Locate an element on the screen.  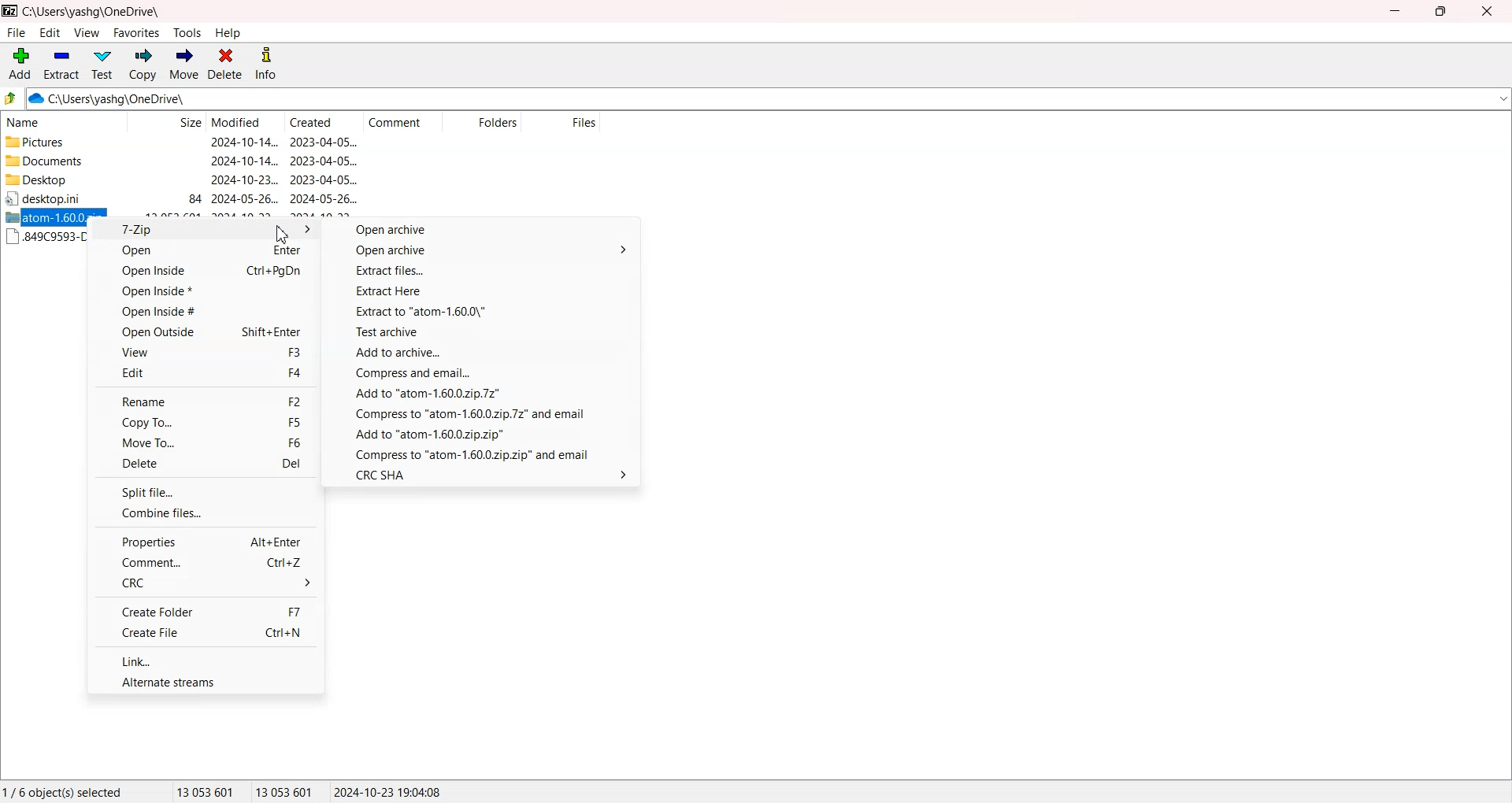
Size is located at coordinates (166, 123).